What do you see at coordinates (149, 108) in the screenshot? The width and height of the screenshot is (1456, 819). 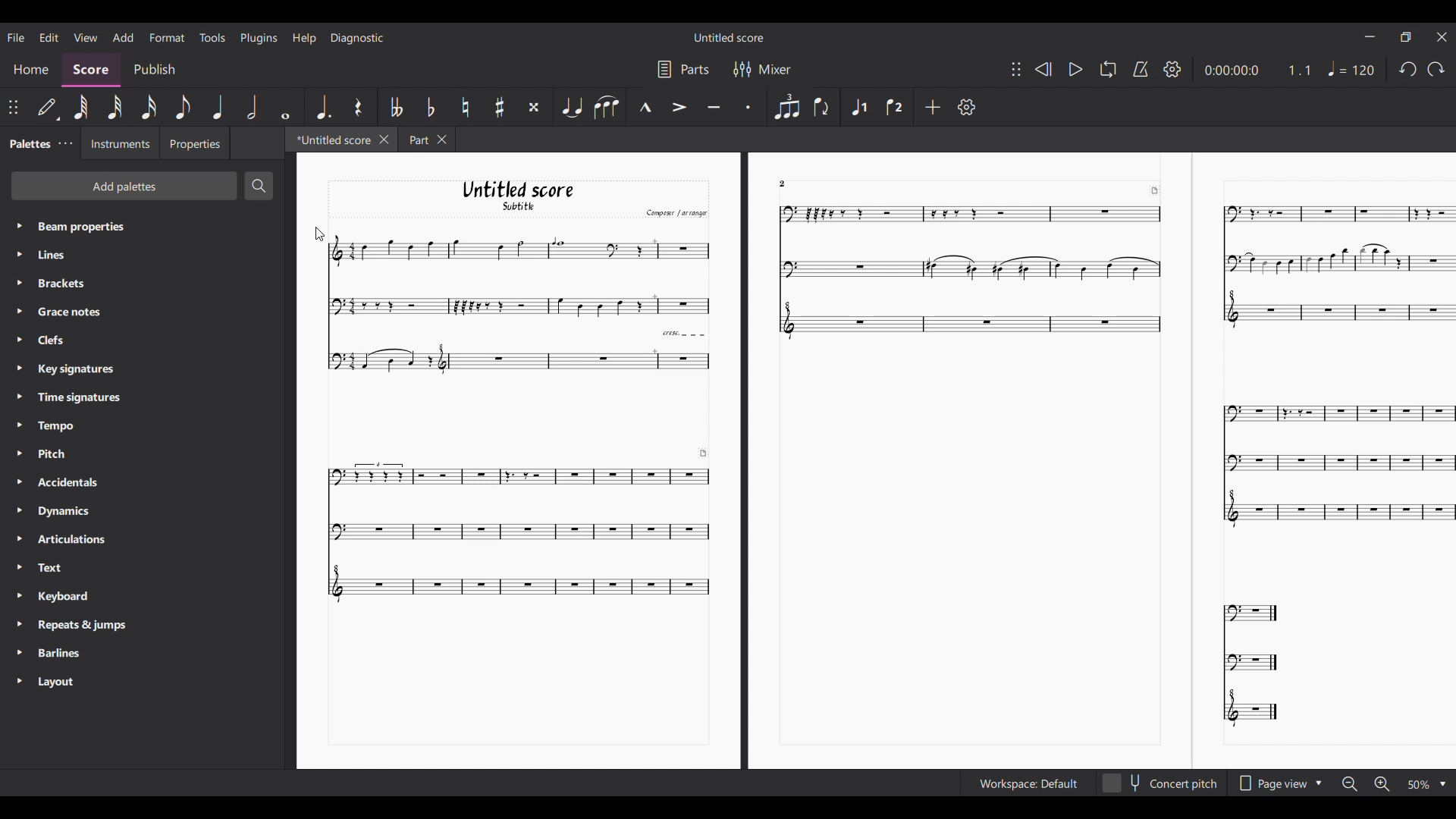 I see `16th note` at bounding box center [149, 108].